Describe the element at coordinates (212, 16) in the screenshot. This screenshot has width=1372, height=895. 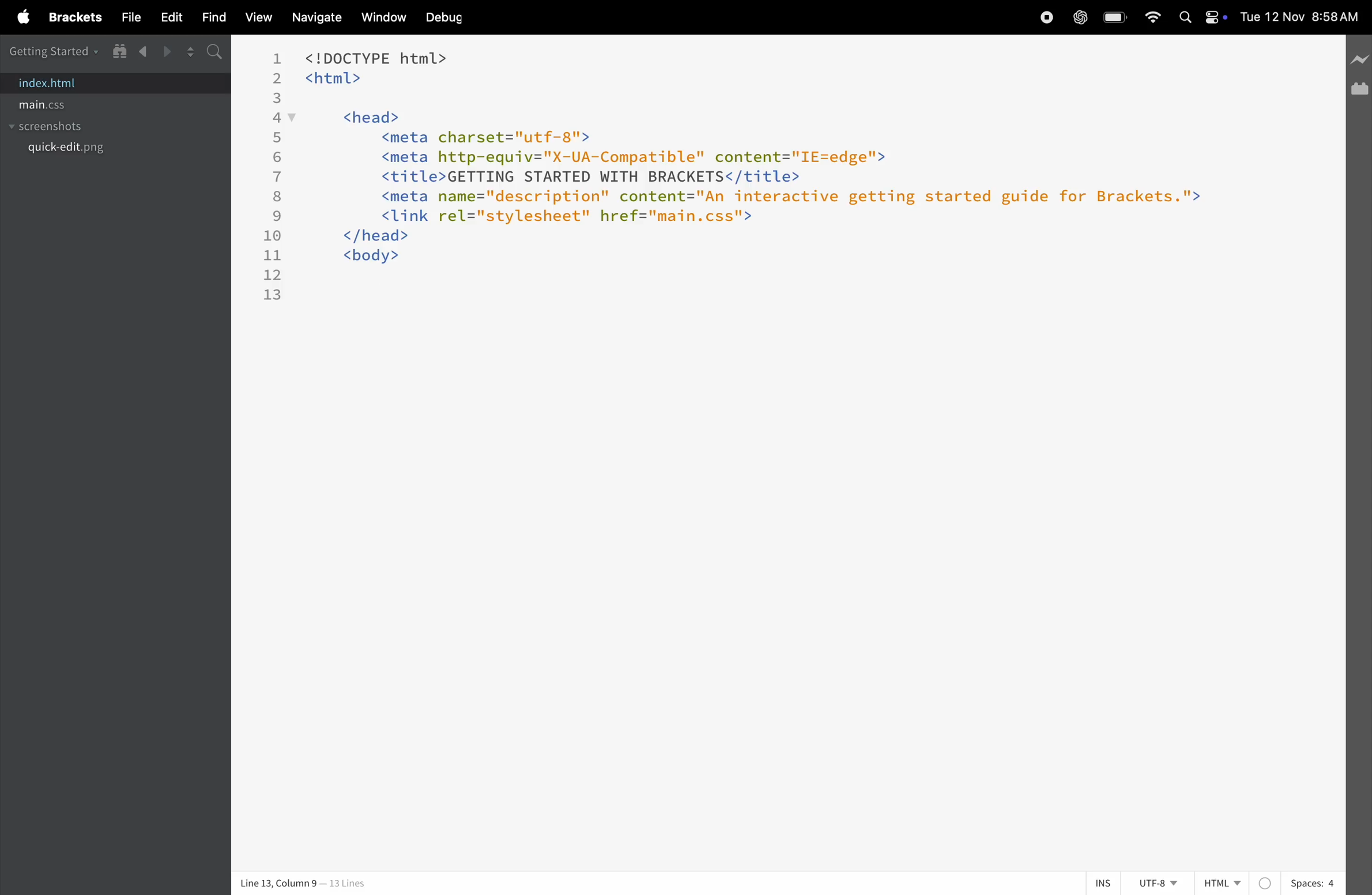
I see `find` at that location.